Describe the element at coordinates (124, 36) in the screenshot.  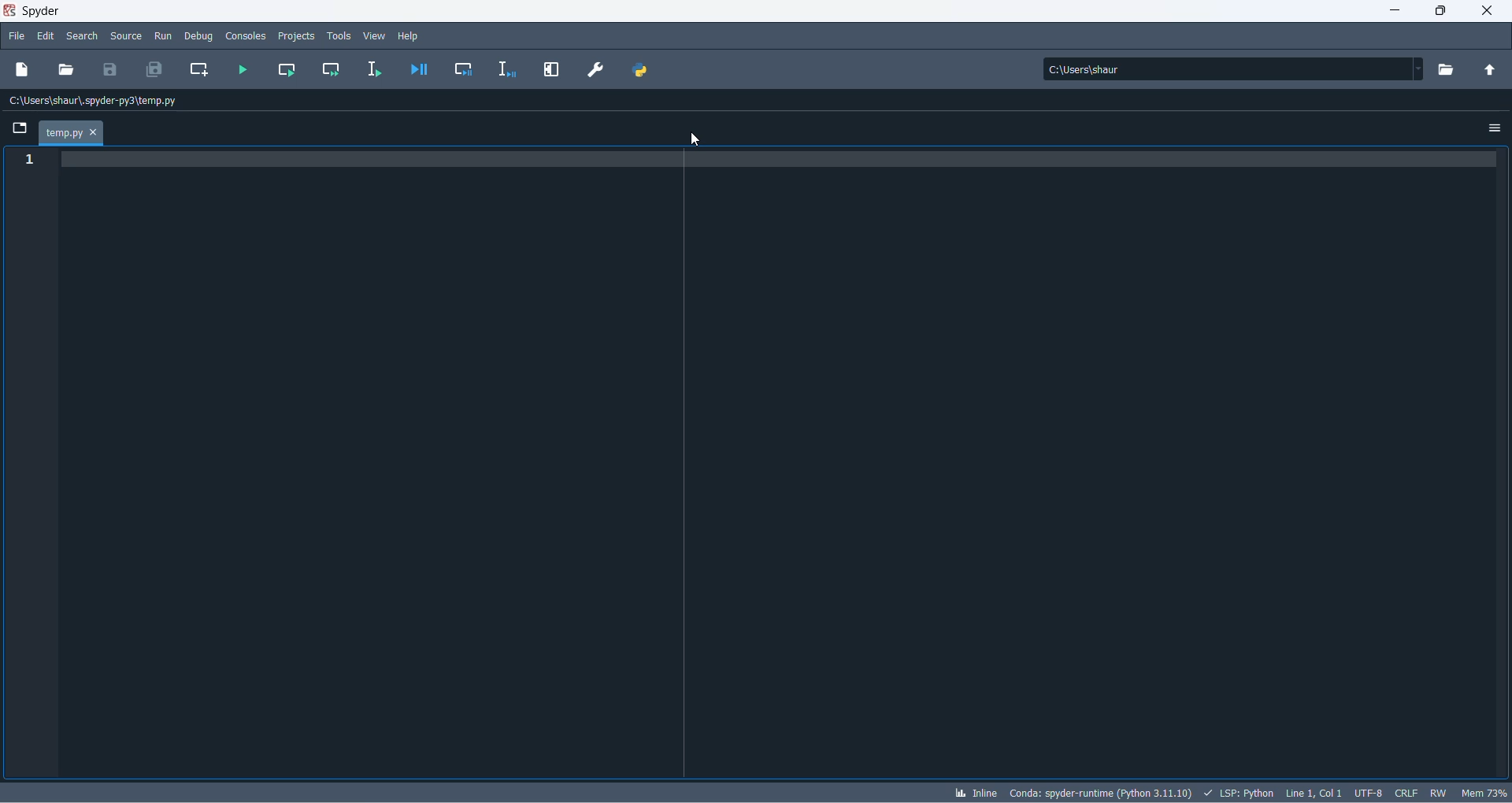
I see `source` at that location.